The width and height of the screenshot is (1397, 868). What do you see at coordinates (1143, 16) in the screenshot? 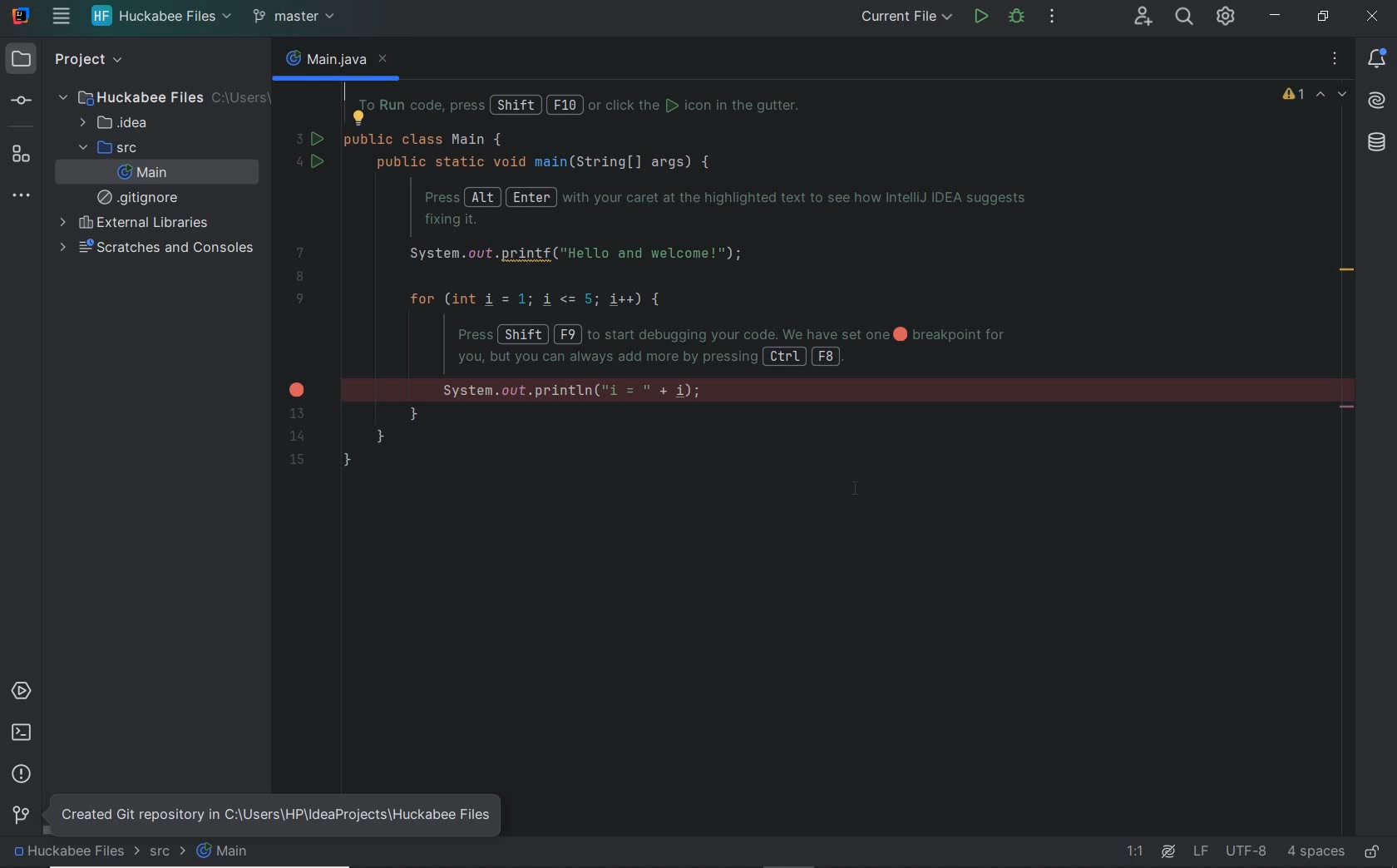
I see `CODE WITH ME` at bounding box center [1143, 16].